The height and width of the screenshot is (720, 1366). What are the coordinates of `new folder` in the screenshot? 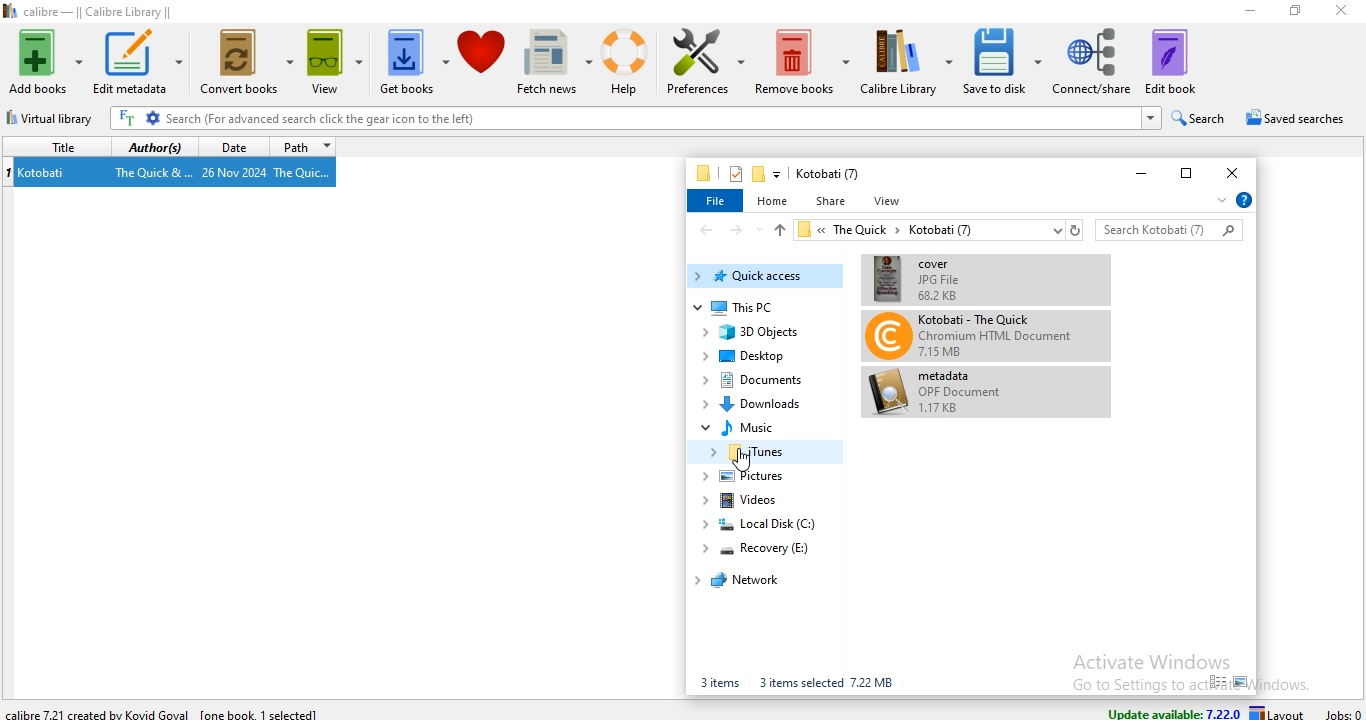 It's located at (759, 175).